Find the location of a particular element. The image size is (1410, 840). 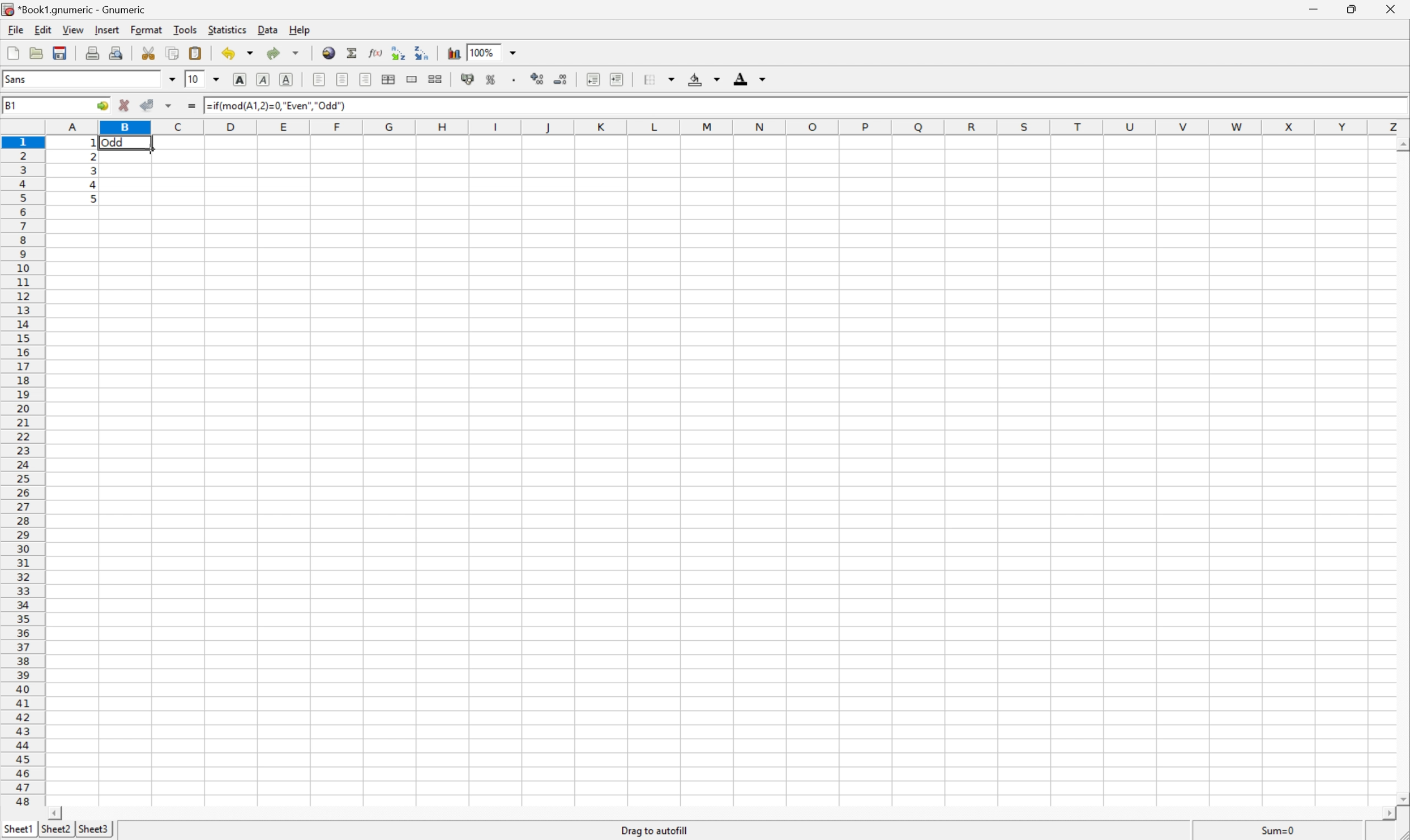

Tools is located at coordinates (185, 30).